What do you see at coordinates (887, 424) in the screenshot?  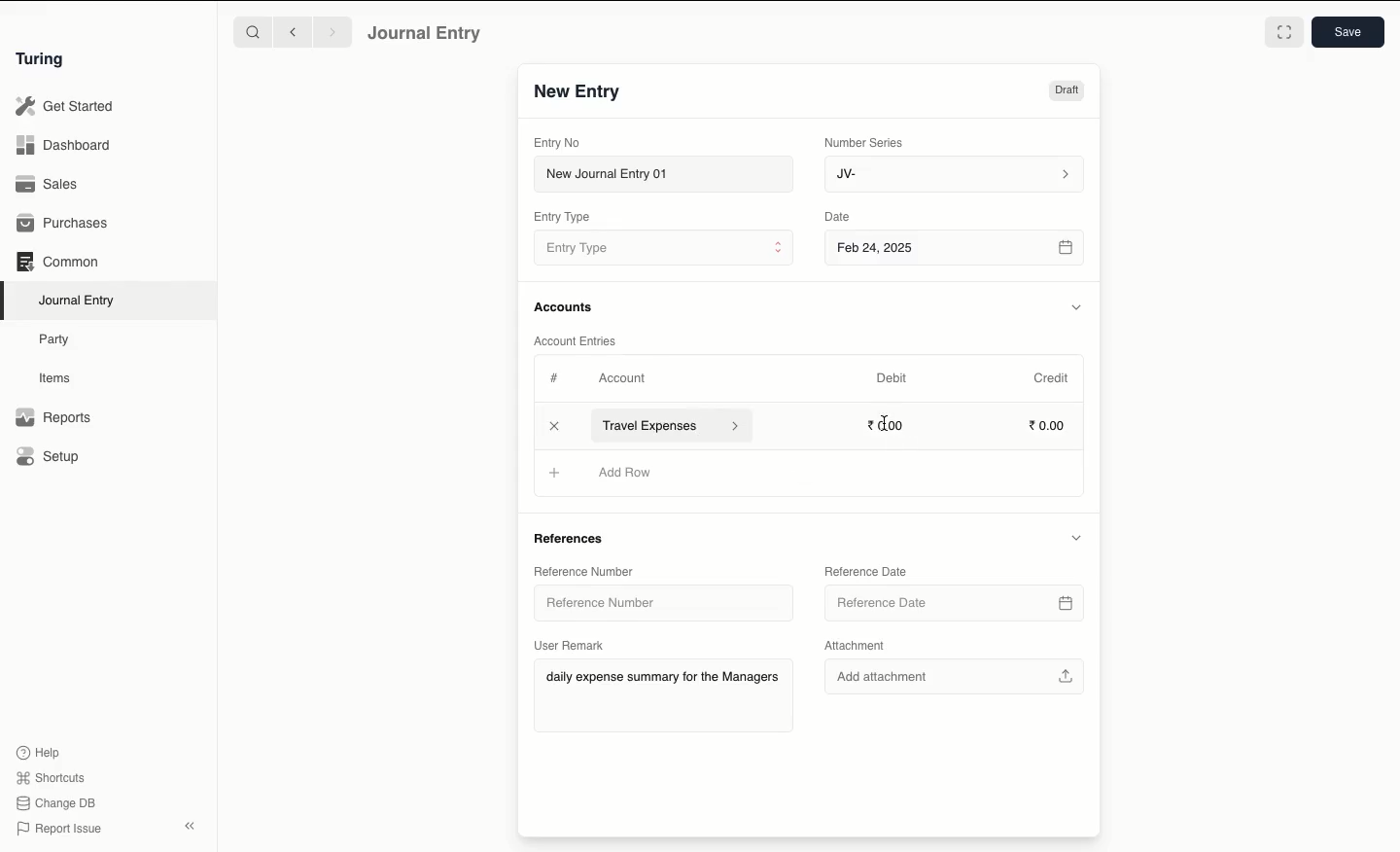 I see `0.00` at bounding box center [887, 424].